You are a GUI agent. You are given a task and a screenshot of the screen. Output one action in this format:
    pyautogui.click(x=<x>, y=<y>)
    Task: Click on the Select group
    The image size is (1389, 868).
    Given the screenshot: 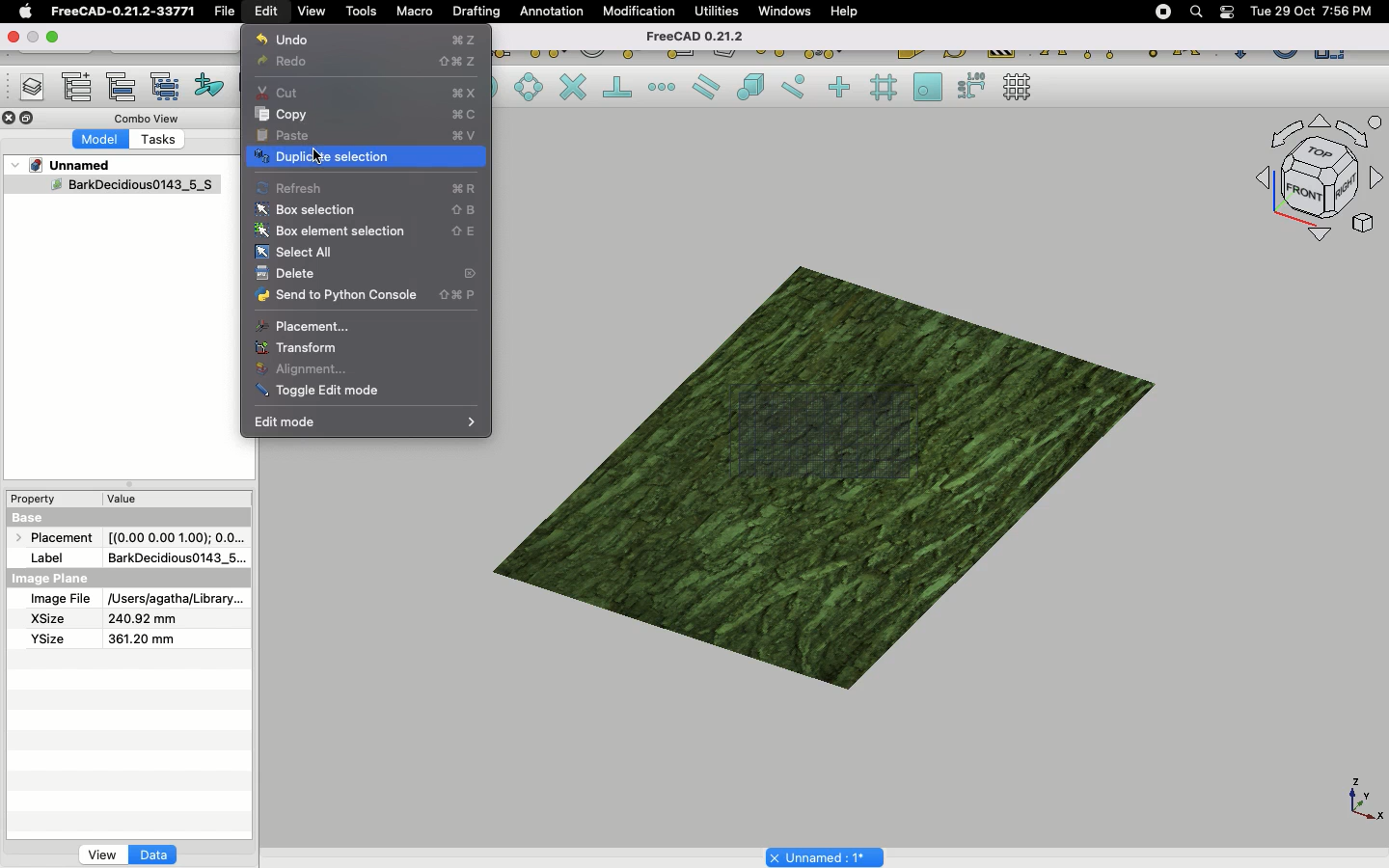 What is the action you would take?
    pyautogui.click(x=167, y=85)
    